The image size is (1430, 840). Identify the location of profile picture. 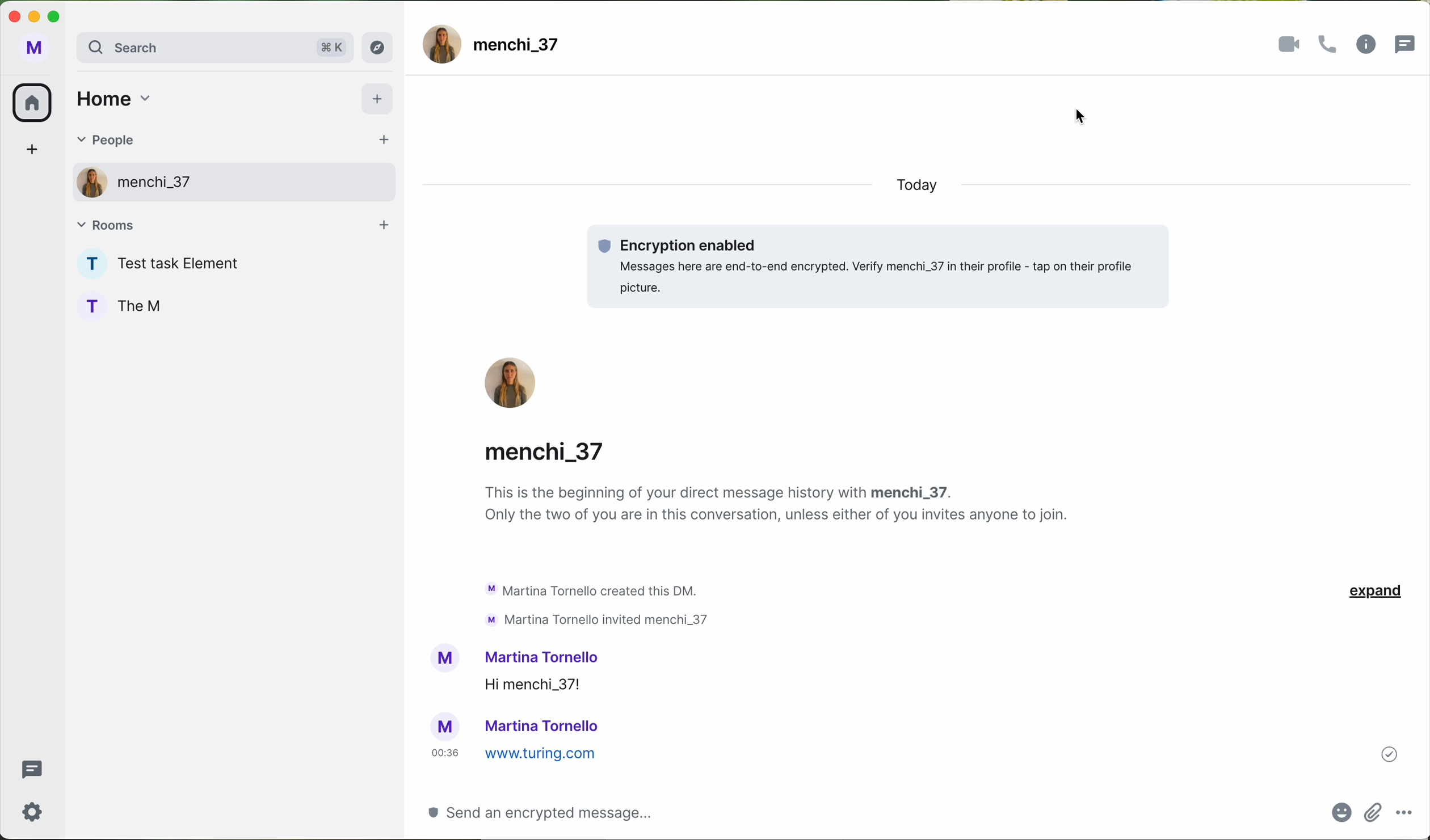
(510, 382).